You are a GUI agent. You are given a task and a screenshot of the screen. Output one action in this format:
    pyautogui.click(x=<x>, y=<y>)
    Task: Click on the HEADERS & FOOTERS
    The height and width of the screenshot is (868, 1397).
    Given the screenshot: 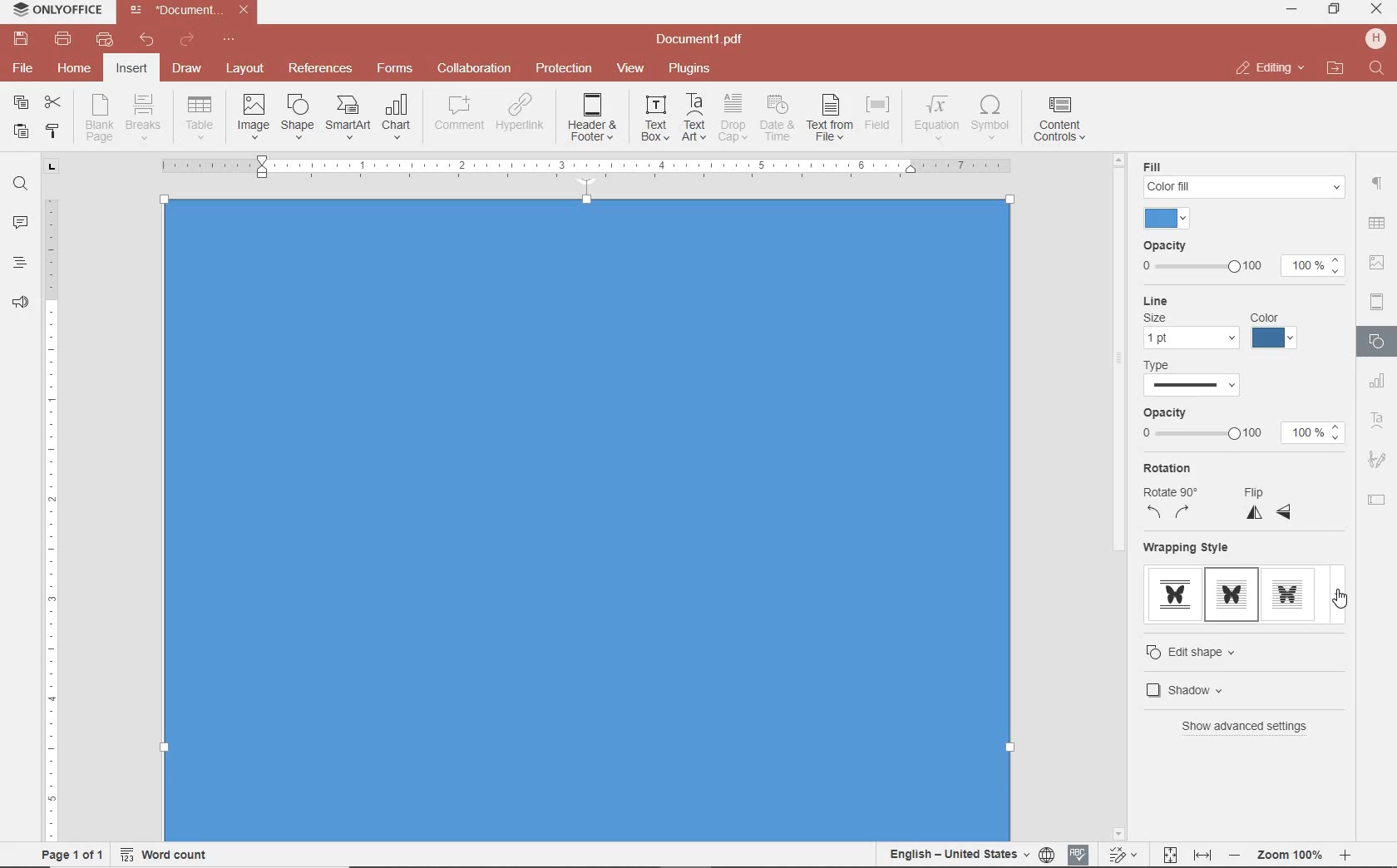 What is the action you would take?
    pyautogui.click(x=1378, y=303)
    